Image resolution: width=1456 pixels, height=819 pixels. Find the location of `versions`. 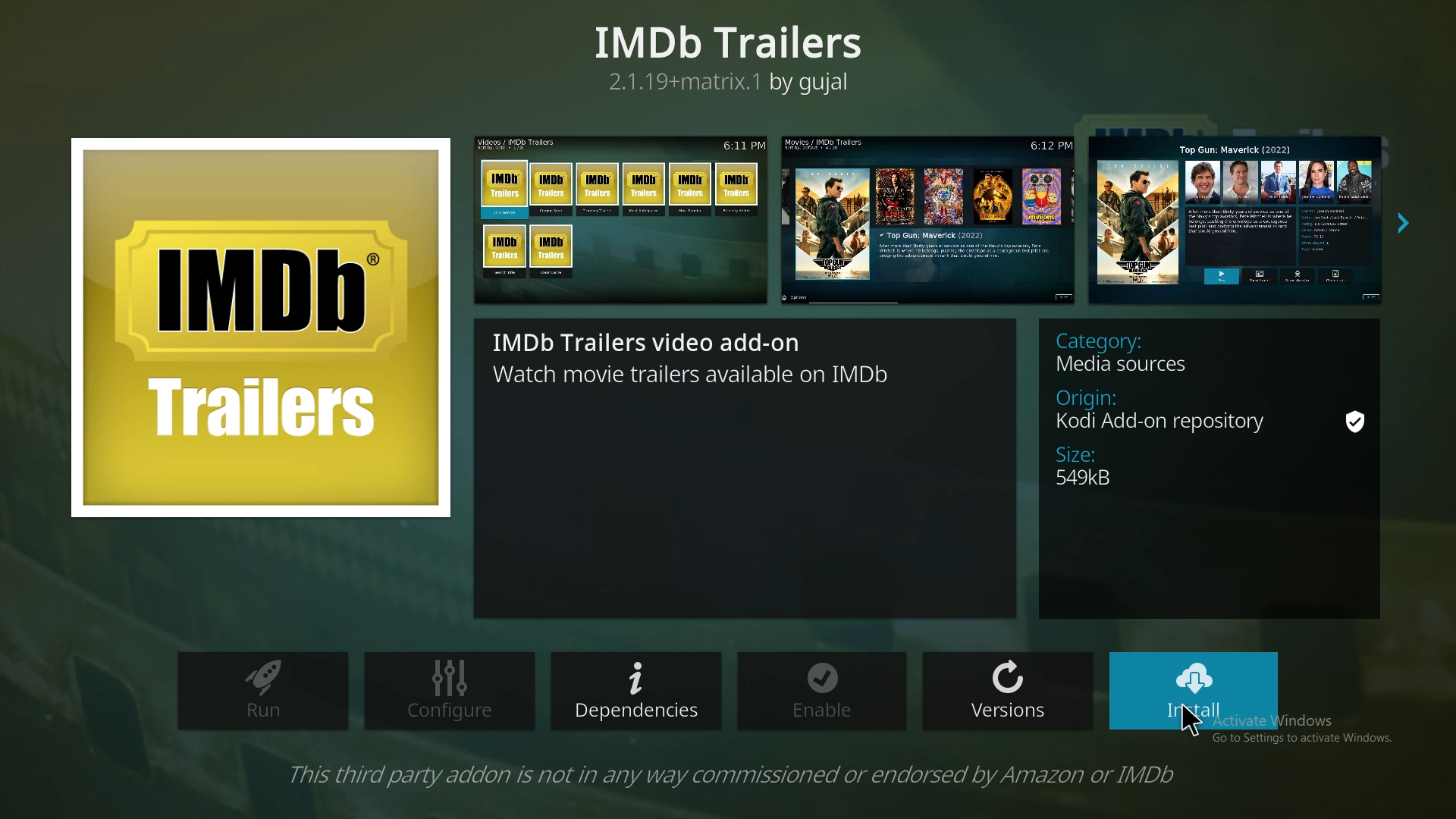

versions is located at coordinates (1007, 689).